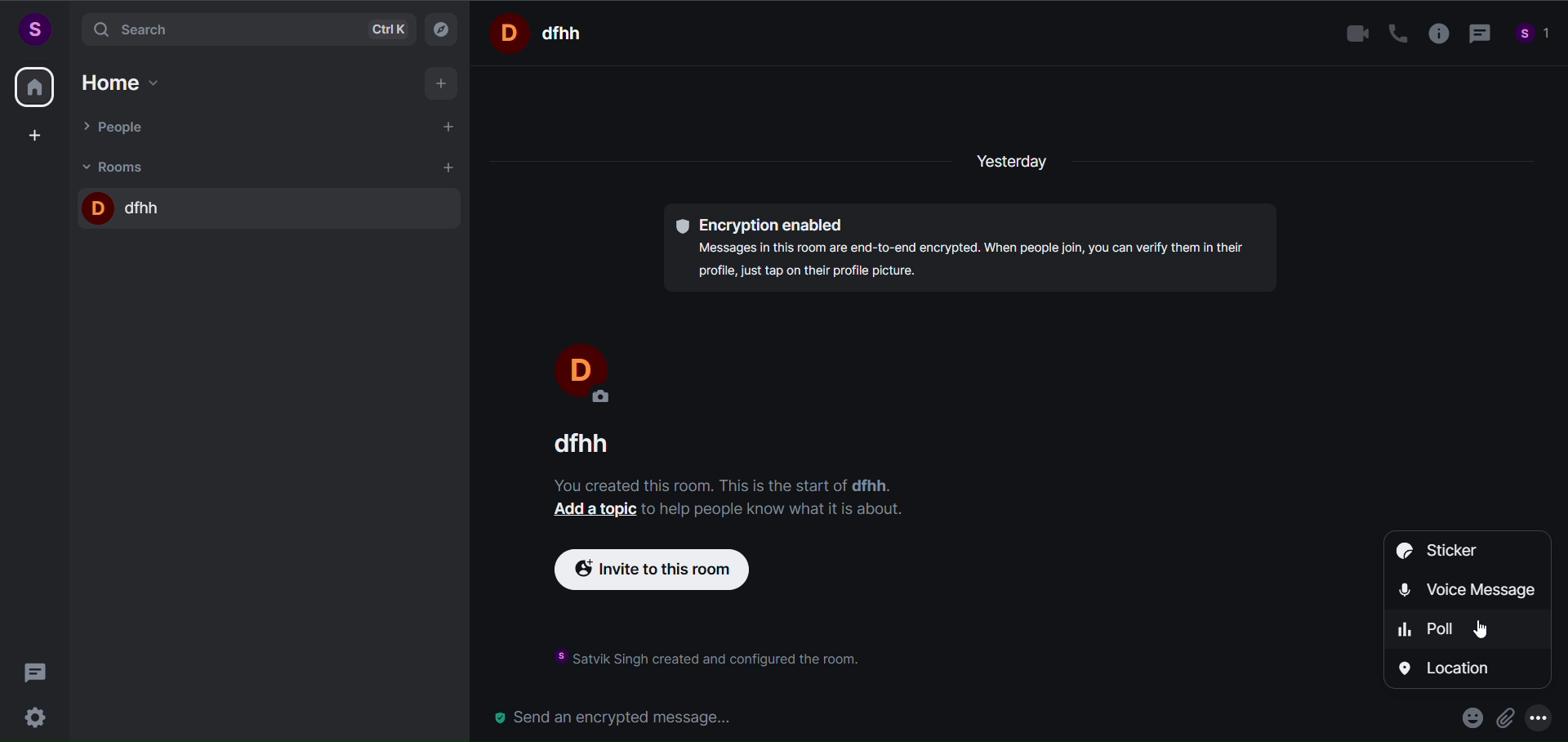  I want to click on display name, so click(591, 369).